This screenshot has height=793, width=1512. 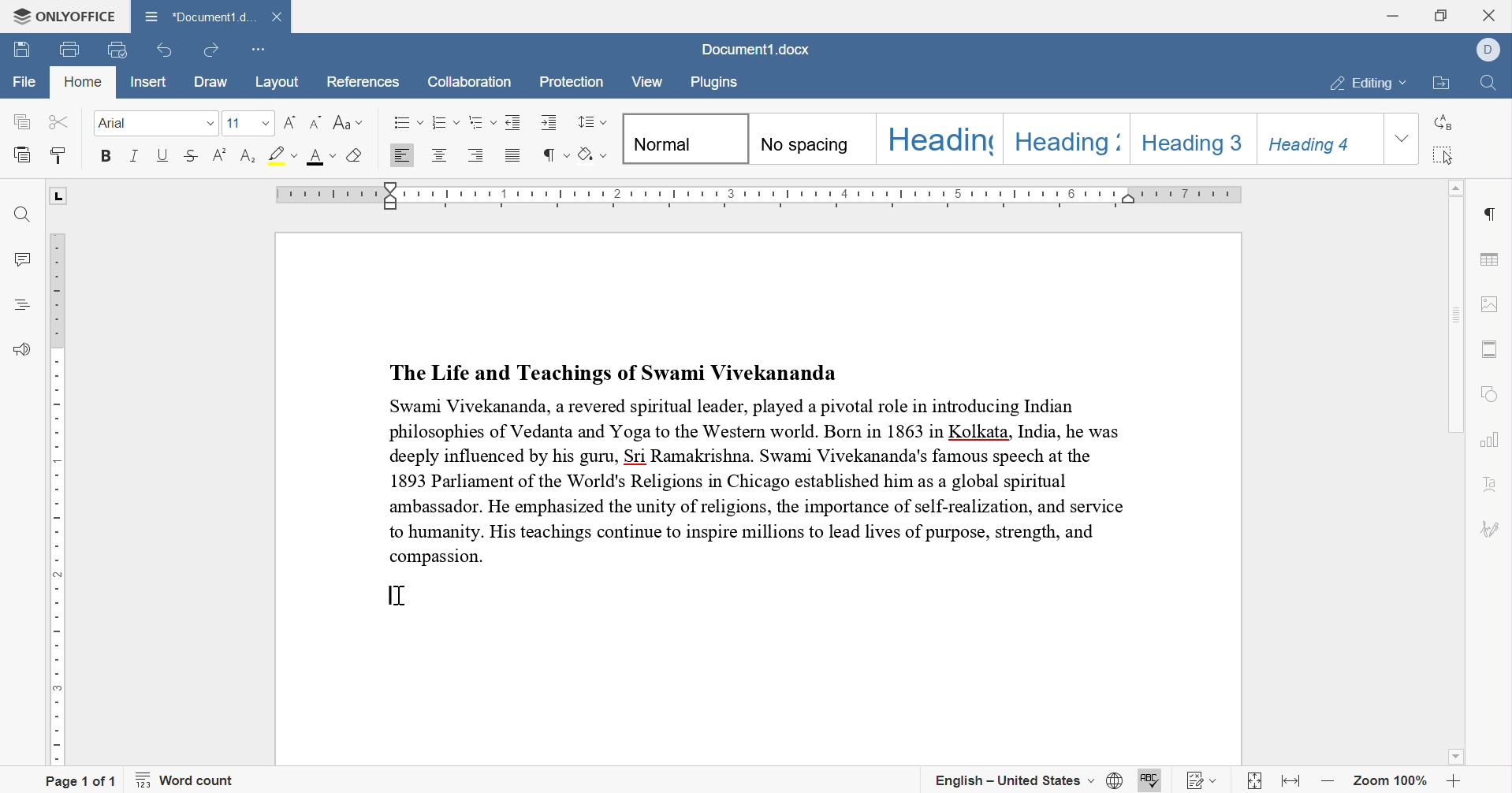 I want to click on layout, so click(x=280, y=83).